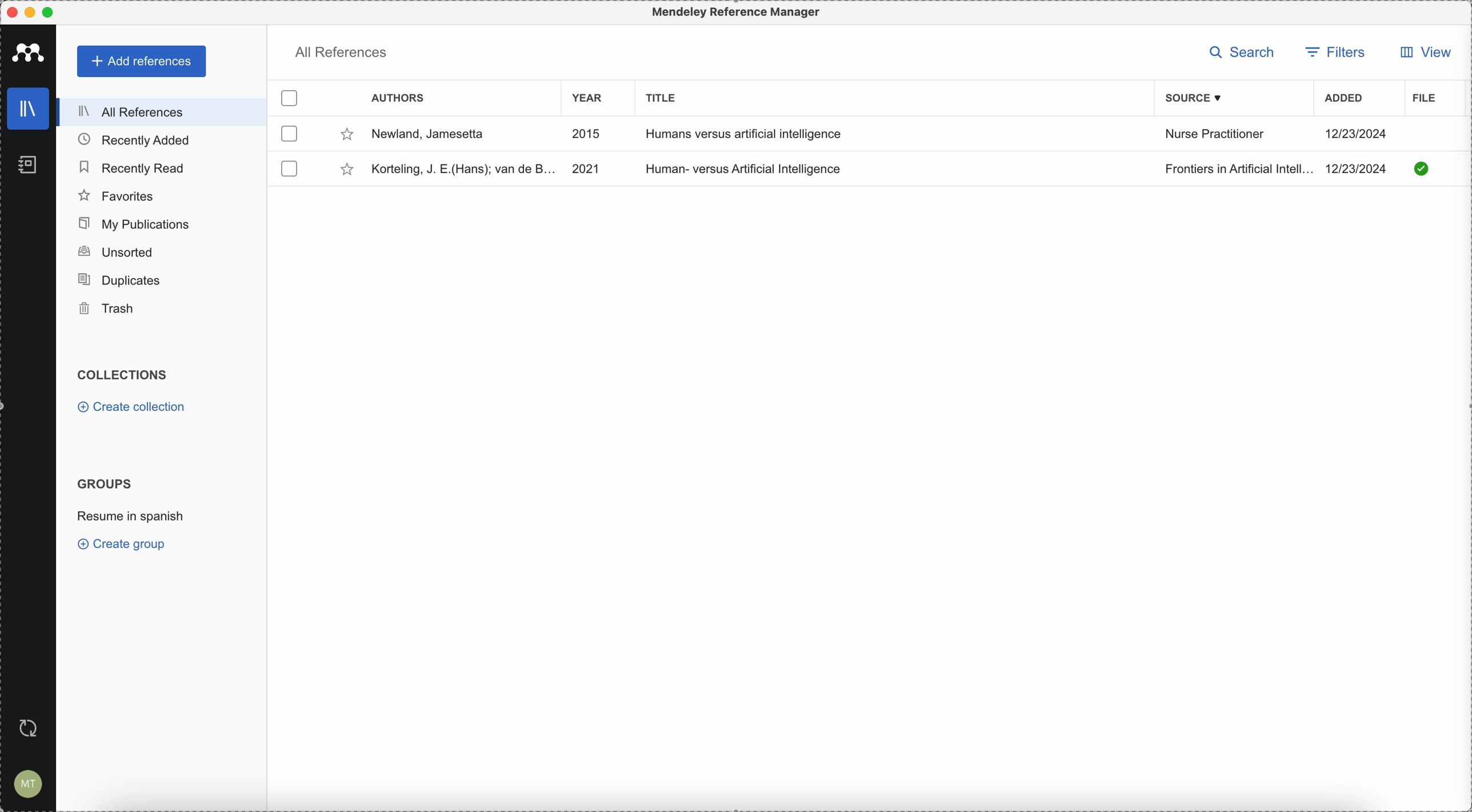 Image resolution: width=1472 pixels, height=812 pixels. What do you see at coordinates (435, 131) in the screenshot?
I see `Newland, Jamesetta` at bounding box center [435, 131].